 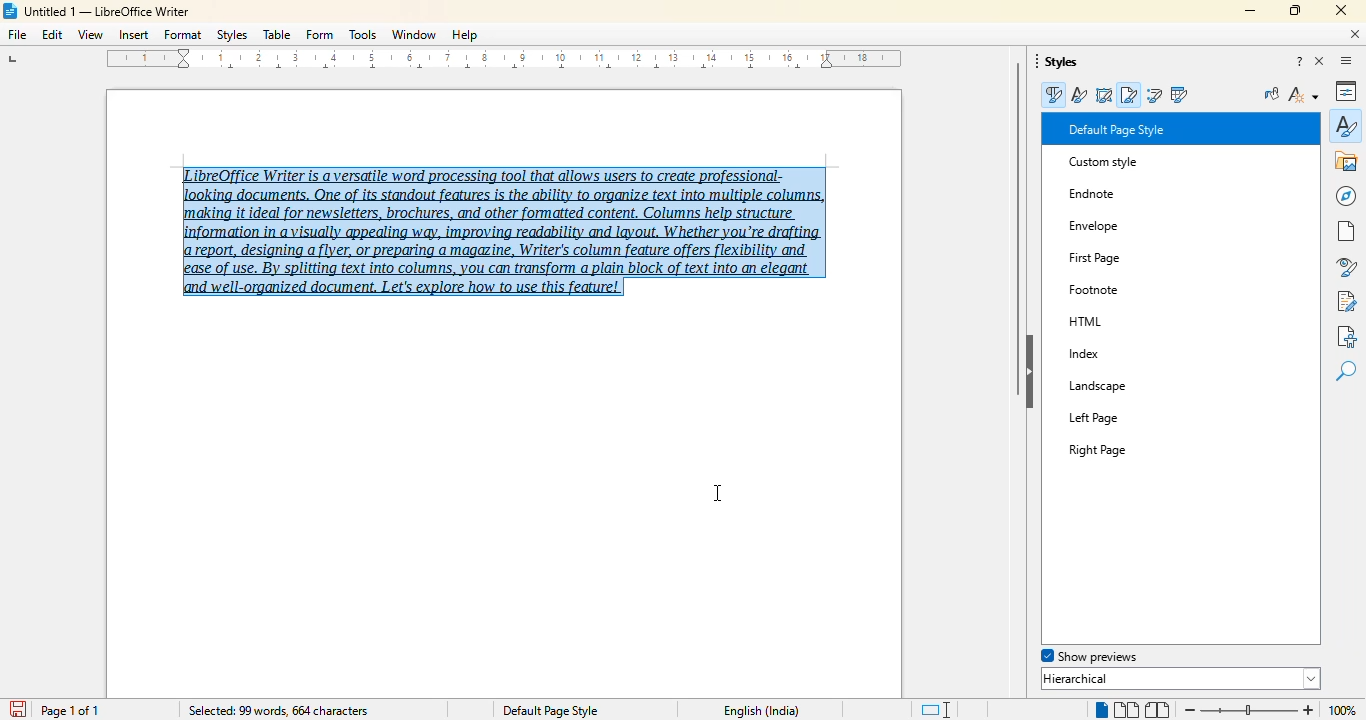 I want to click on navigation, so click(x=1344, y=196).